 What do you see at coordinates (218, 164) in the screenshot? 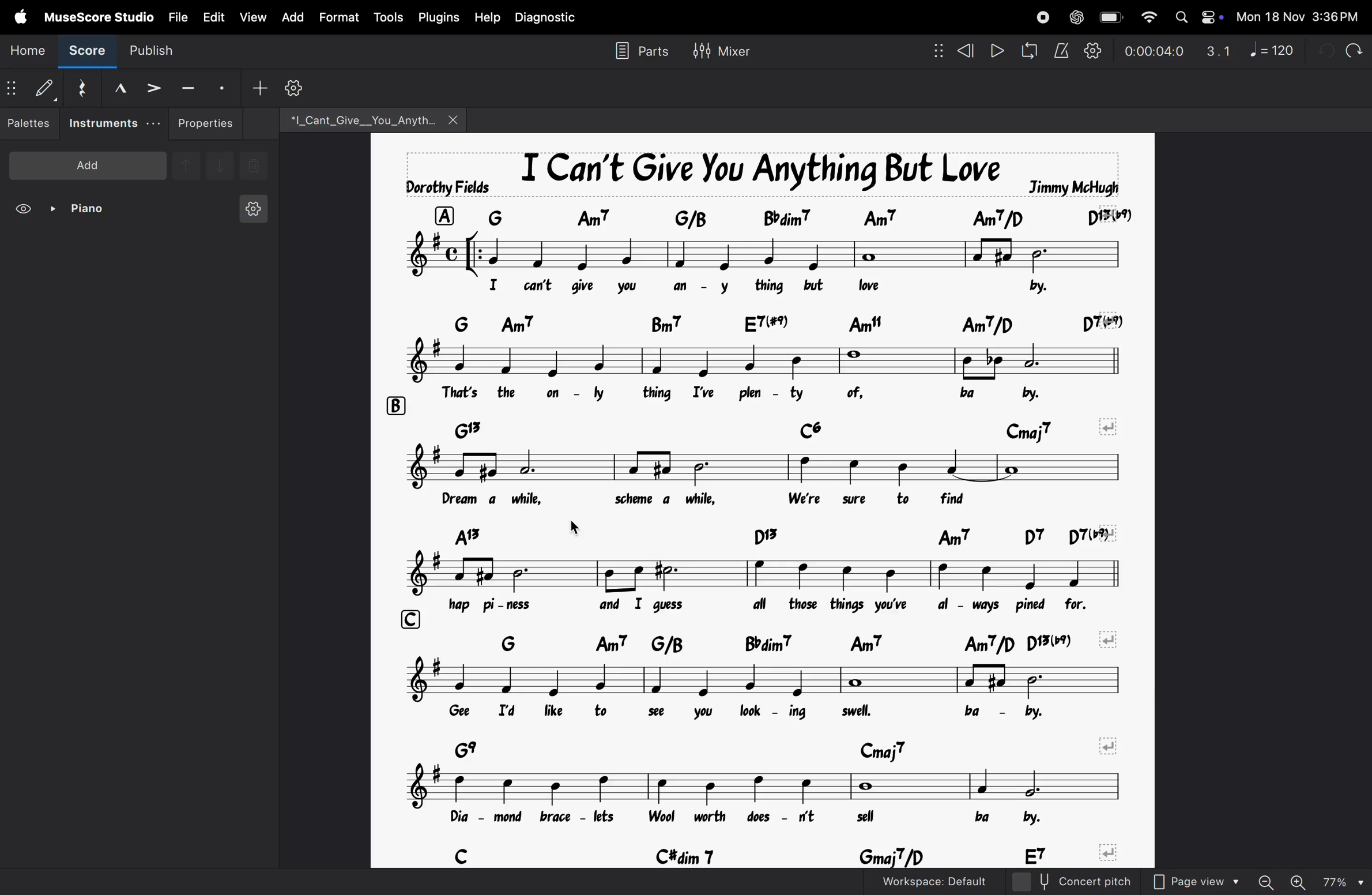
I see `downnote` at bounding box center [218, 164].